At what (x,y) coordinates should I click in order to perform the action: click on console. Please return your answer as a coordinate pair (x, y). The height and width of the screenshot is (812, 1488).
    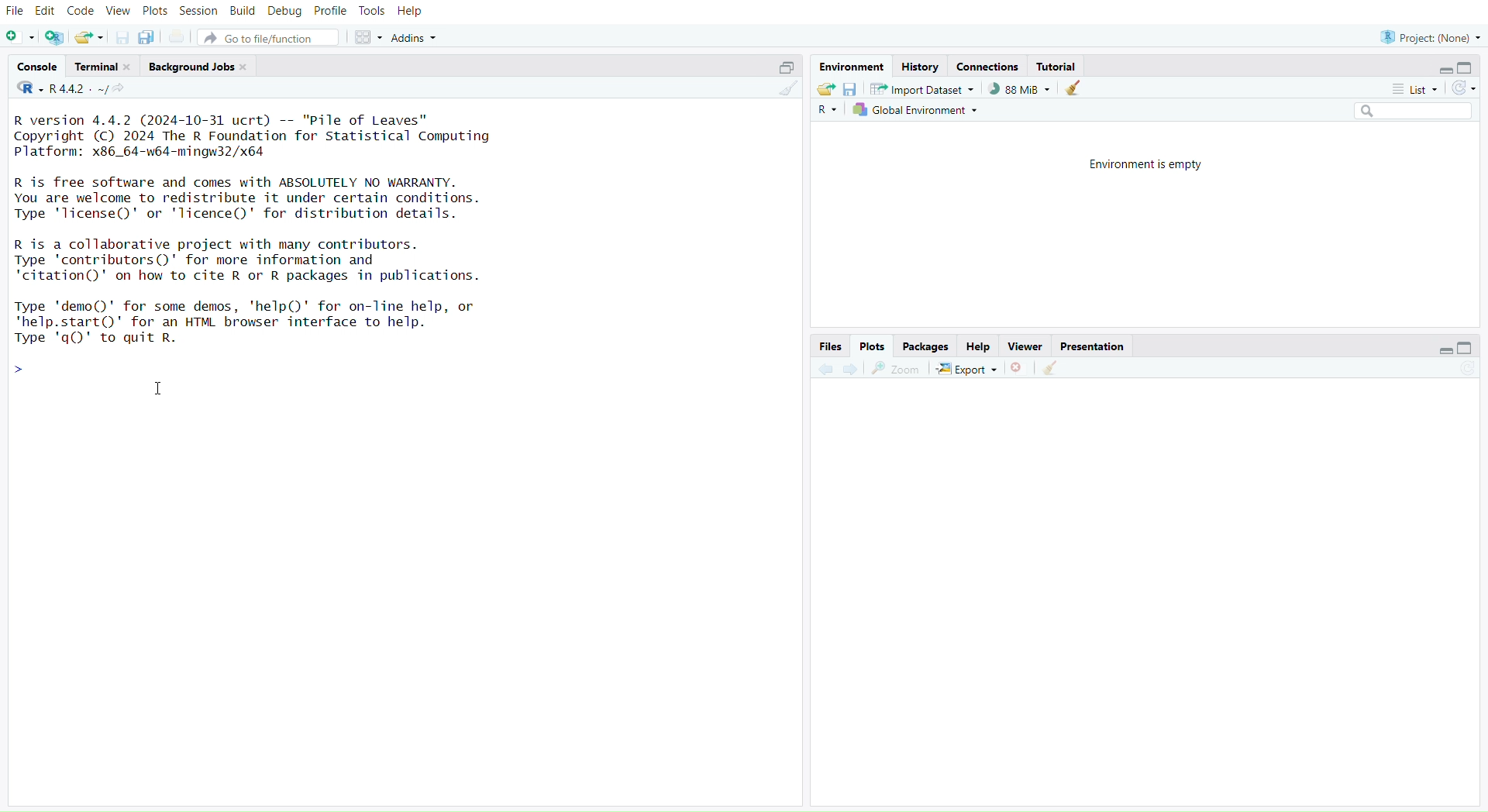
    Looking at the image, I should click on (40, 67).